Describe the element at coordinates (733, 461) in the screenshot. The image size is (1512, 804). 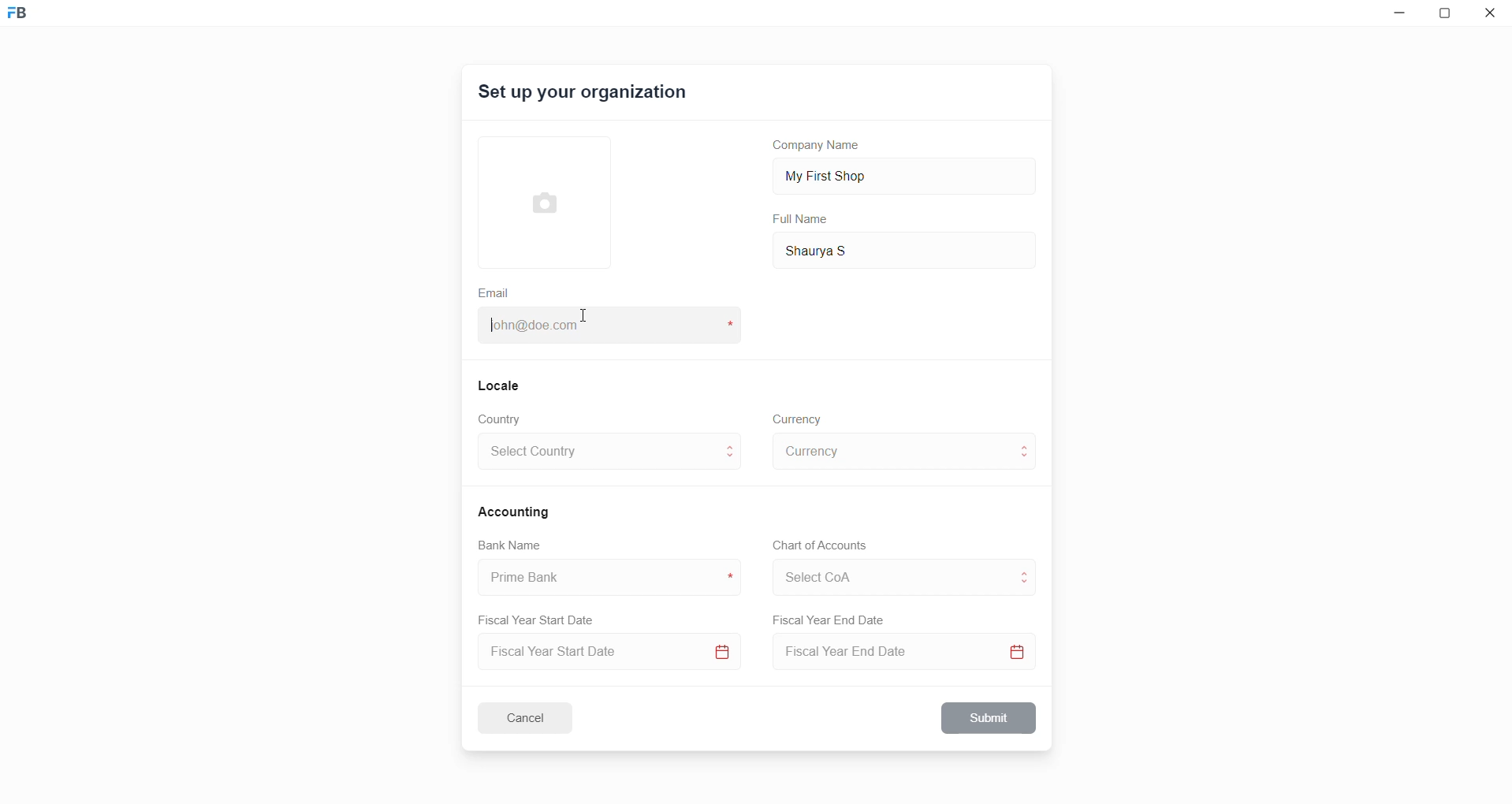
I see `move to below country` at that location.